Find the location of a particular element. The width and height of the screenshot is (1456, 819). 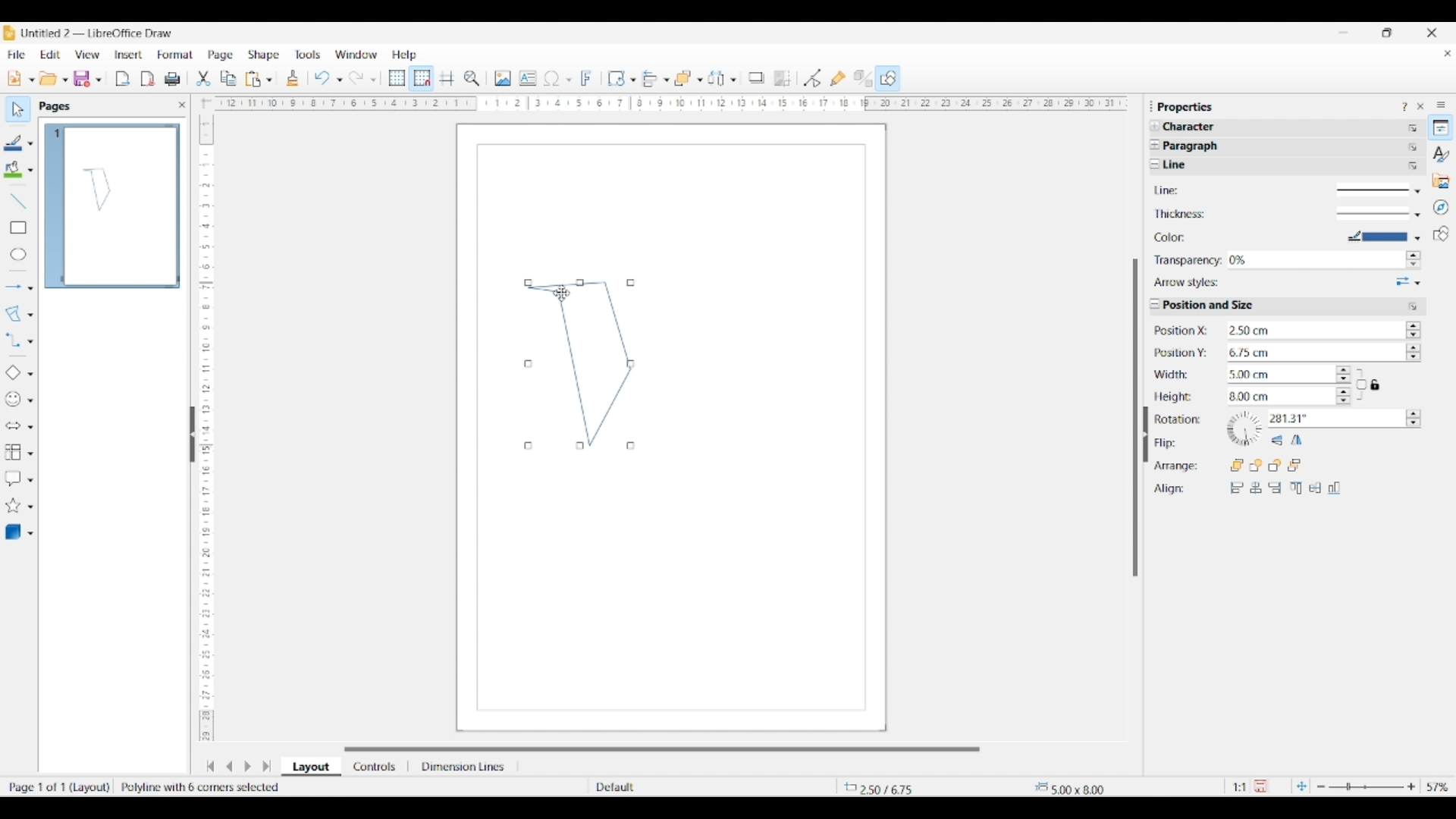

Helplines while moving is located at coordinates (447, 77).